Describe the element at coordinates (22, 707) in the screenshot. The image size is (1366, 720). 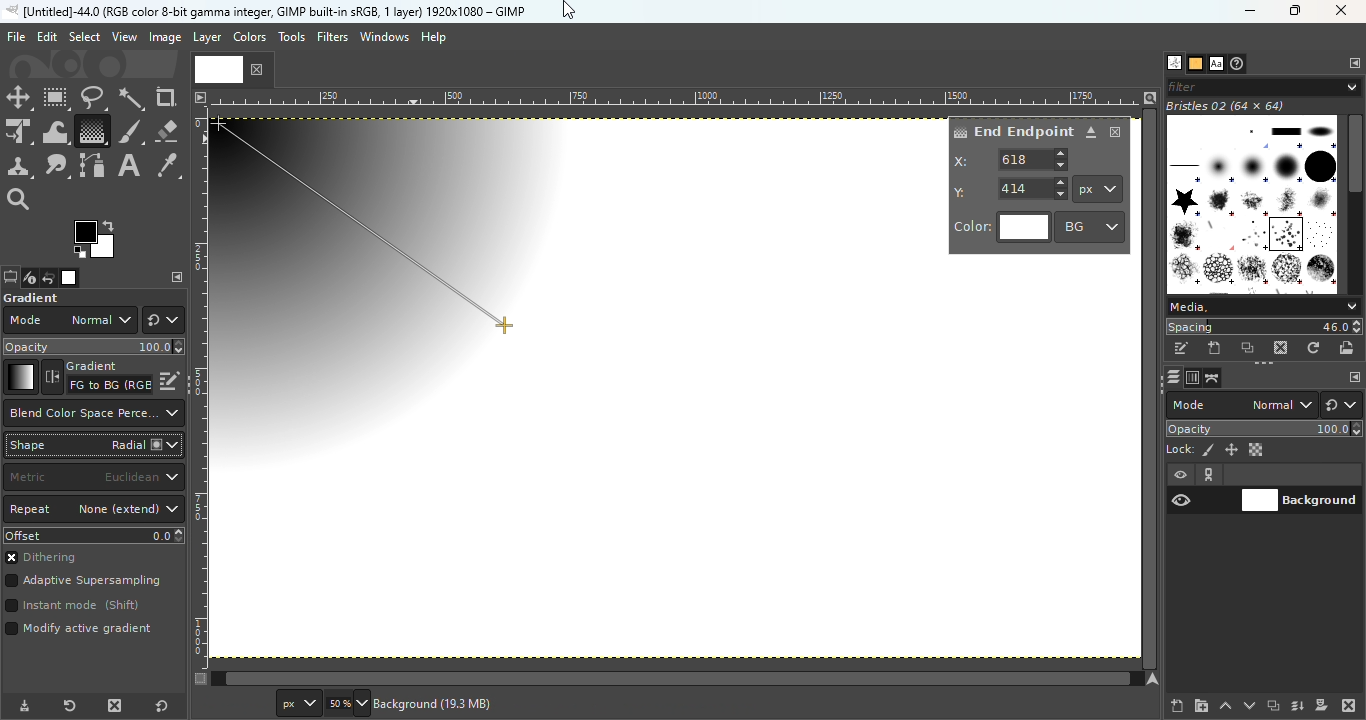
I see `Save tool preset` at that location.